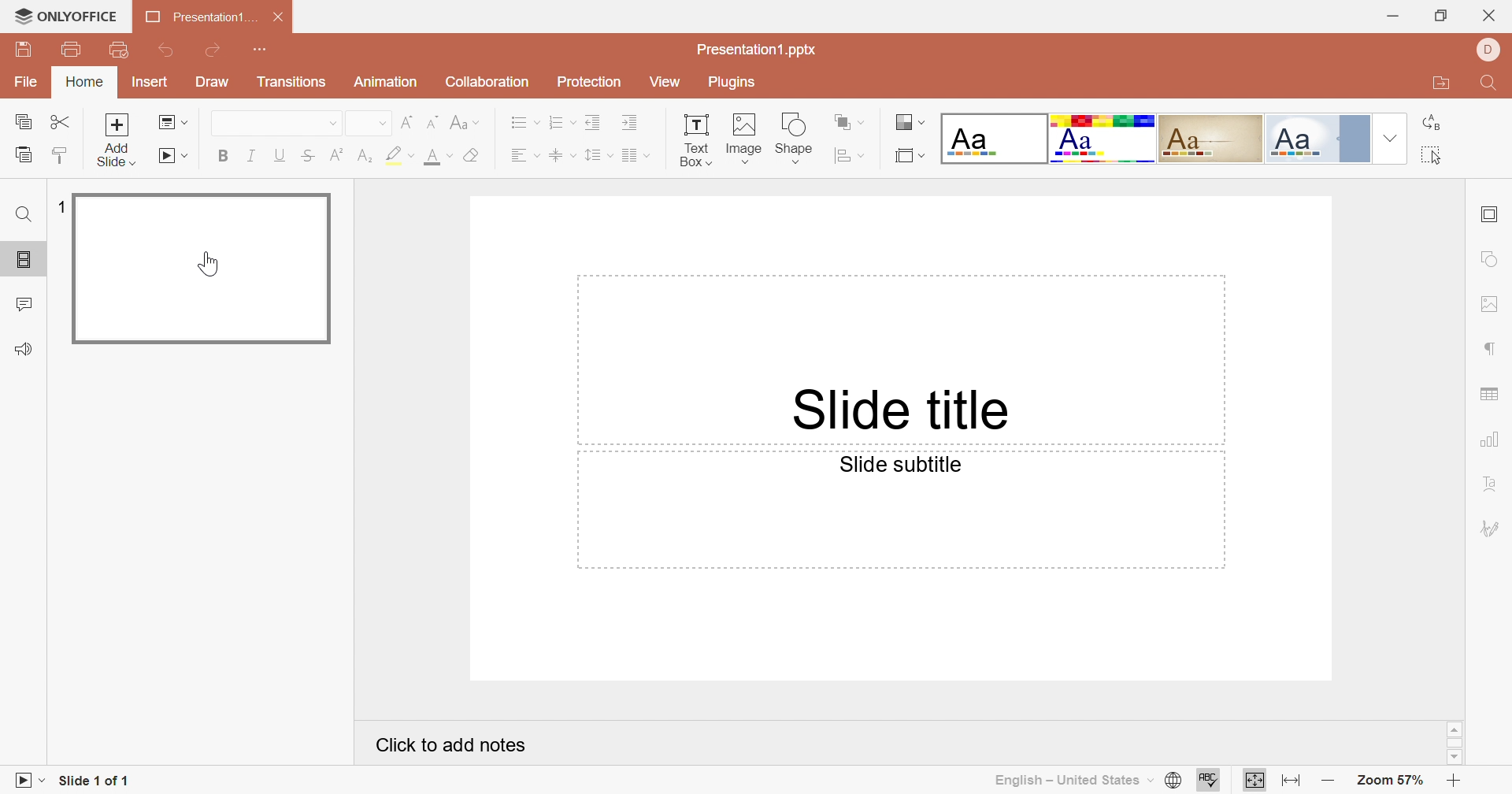 This screenshot has width=1512, height=794. I want to click on Customize quick access toolbar, so click(268, 49).